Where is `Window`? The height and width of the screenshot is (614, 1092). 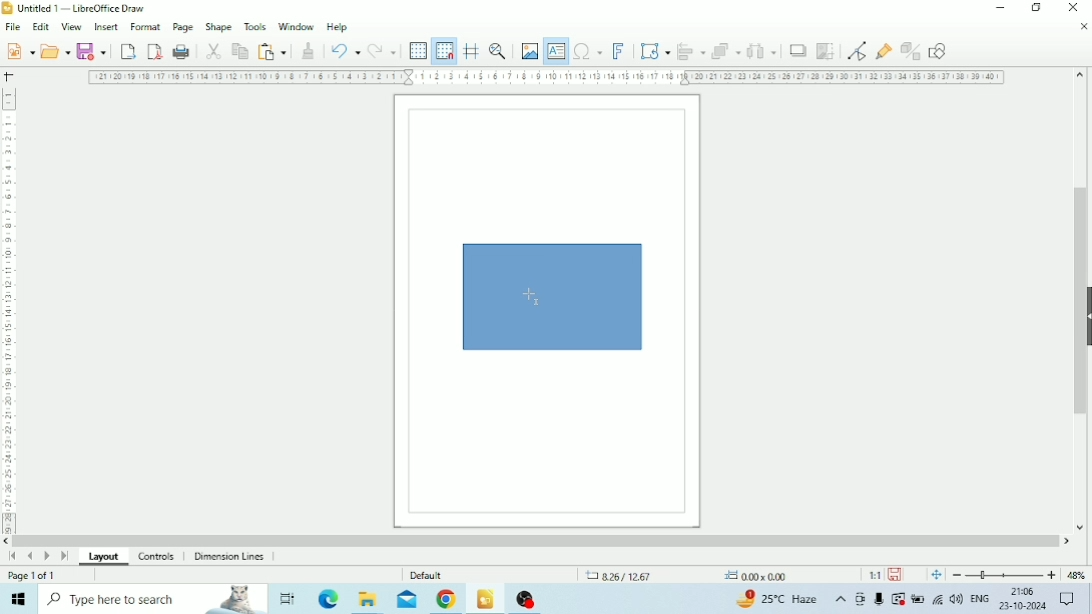 Window is located at coordinates (297, 28).